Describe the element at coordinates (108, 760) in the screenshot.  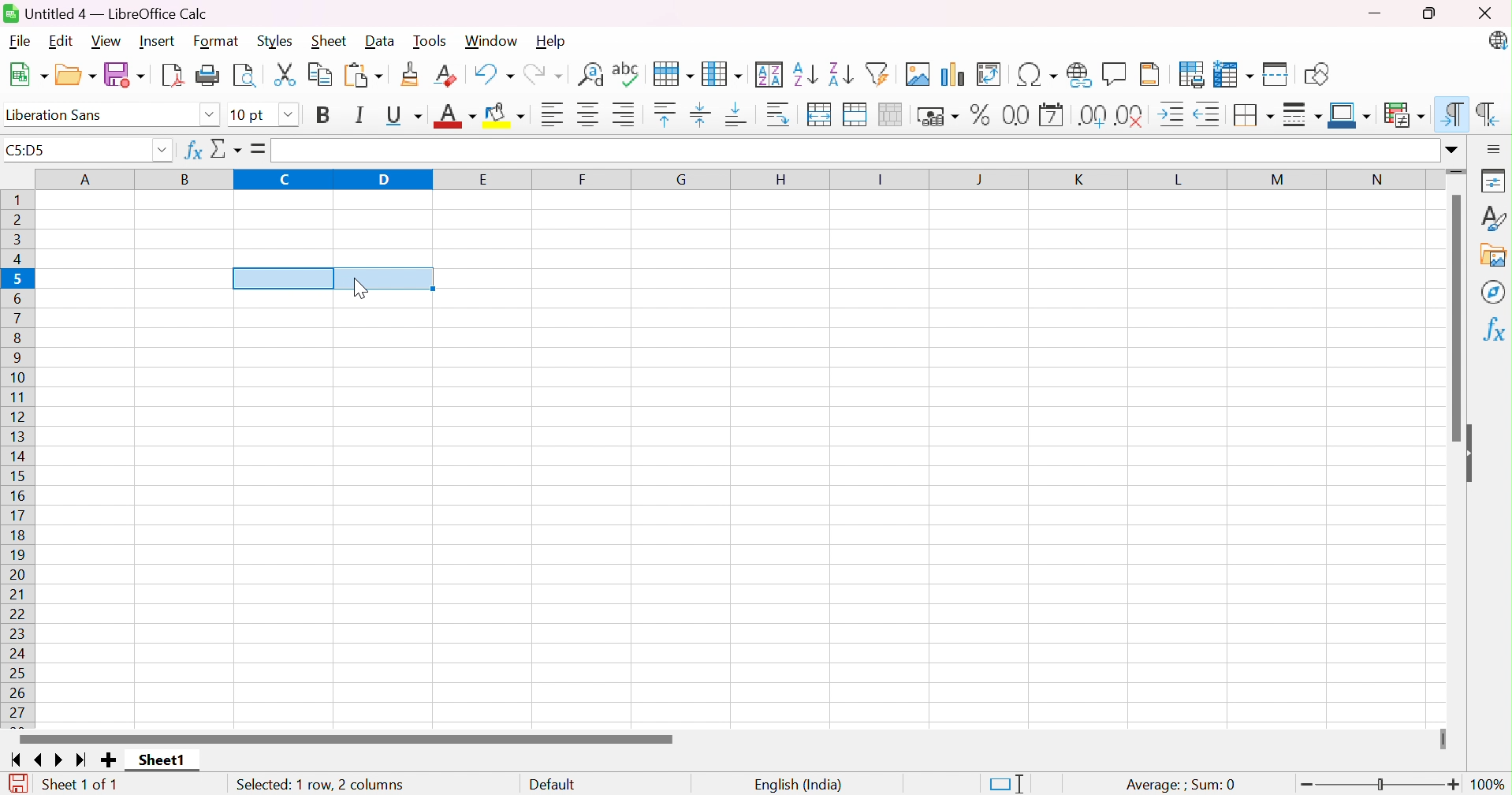
I see `Add new sheet` at that location.